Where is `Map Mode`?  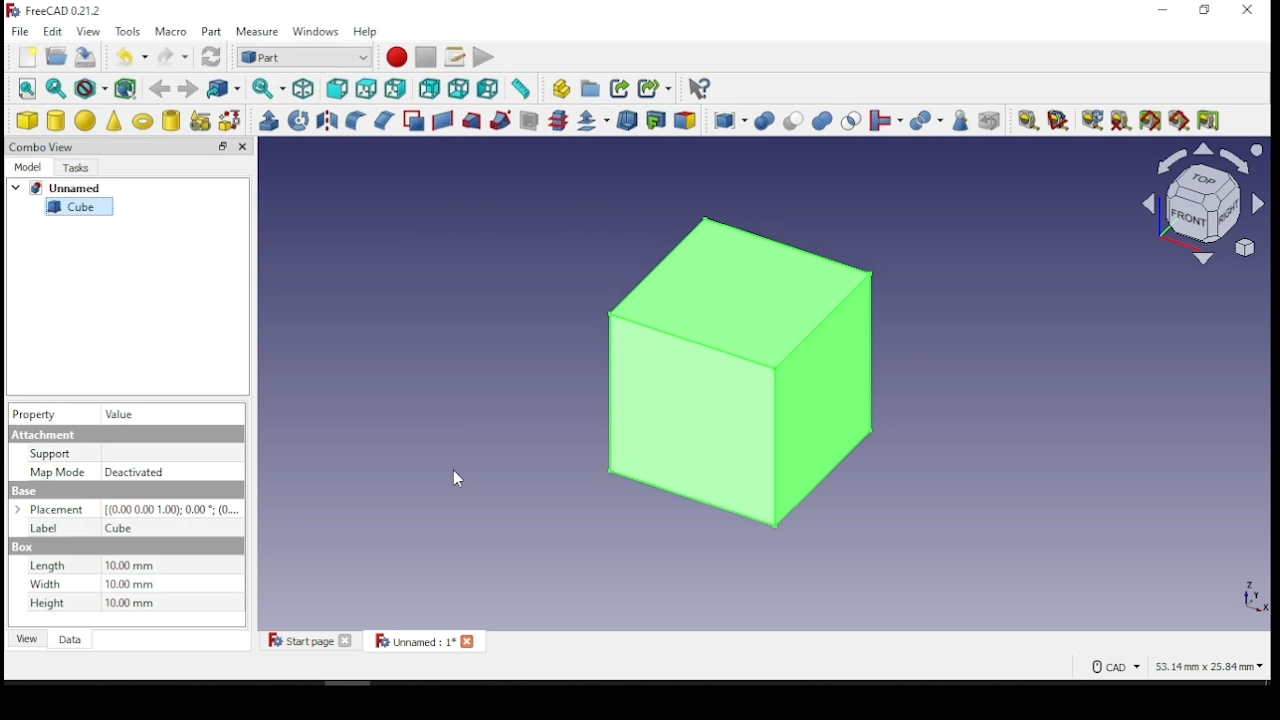 Map Mode is located at coordinates (57, 471).